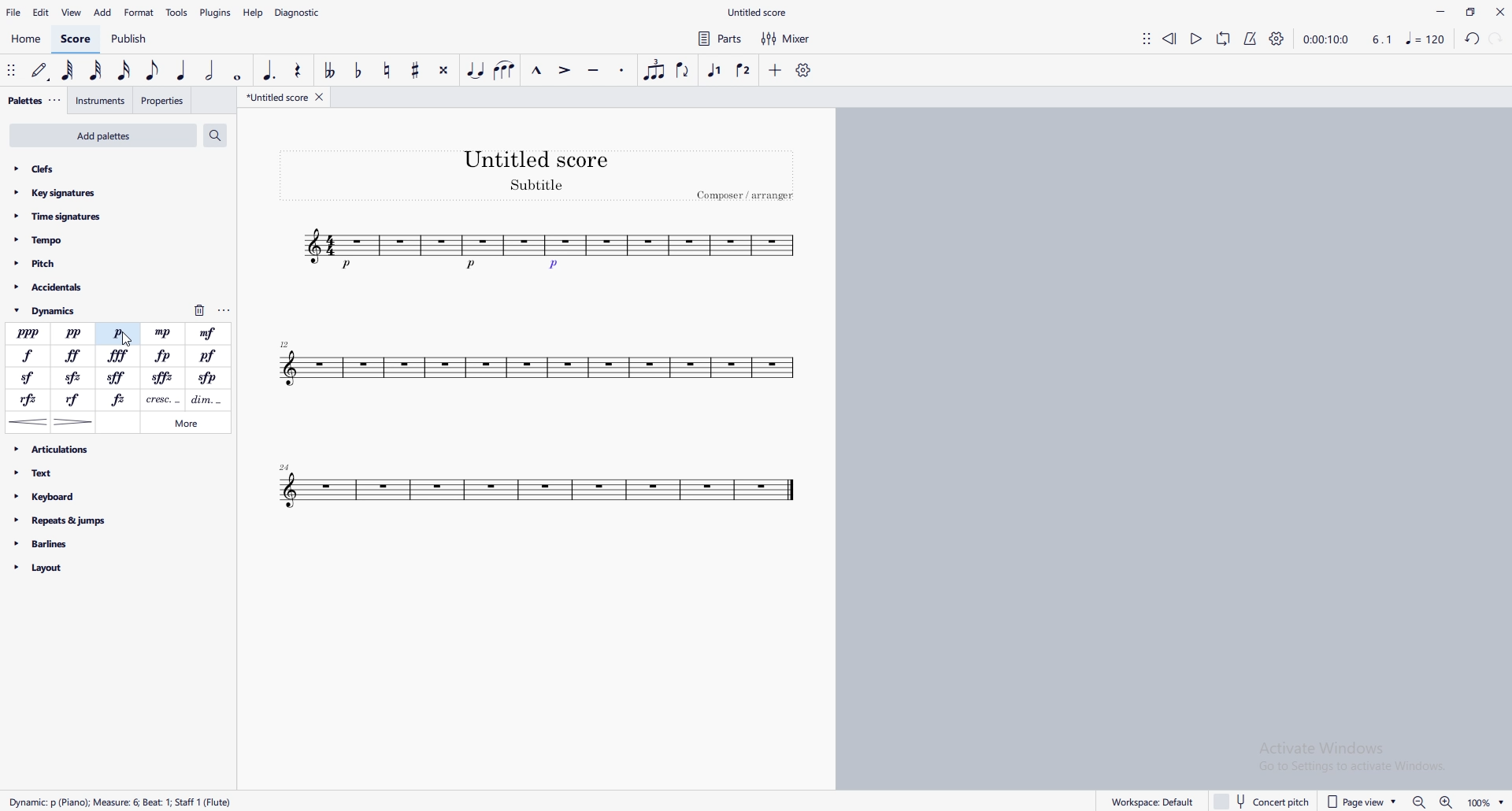 The height and width of the screenshot is (811, 1512). What do you see at coordinates (1488, 802) in the screenshot?
I see `Zoom percentage` at bounding box center [1488, 802].